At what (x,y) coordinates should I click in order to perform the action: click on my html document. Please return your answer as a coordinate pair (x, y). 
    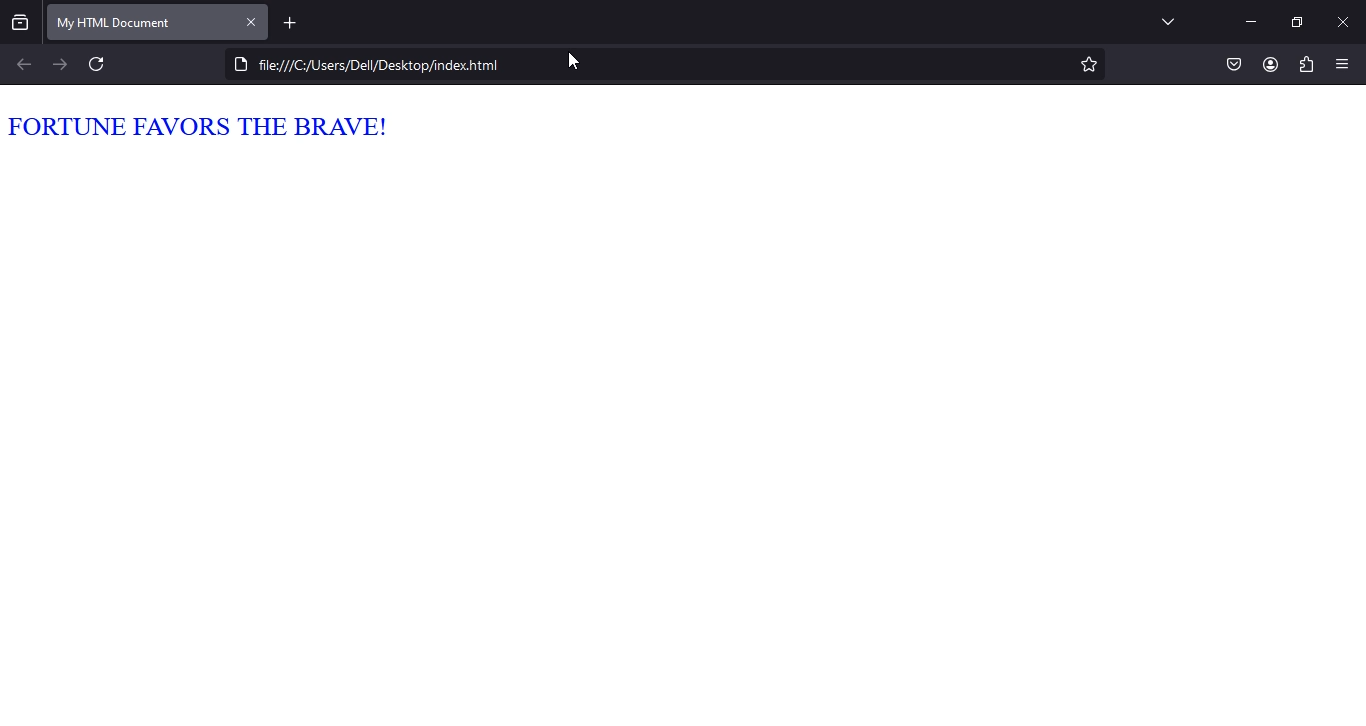
    Looking at the image, I should click on (114, 23).